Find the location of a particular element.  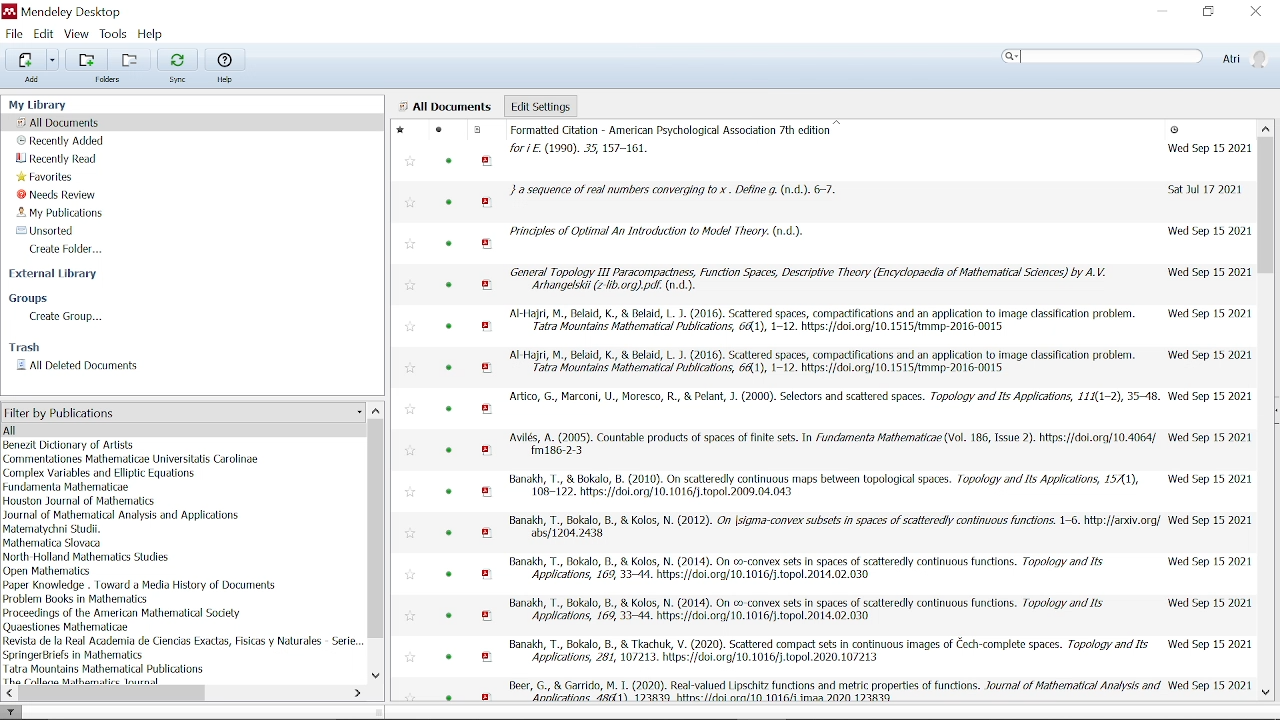

author is located at coordinates (71, 627).